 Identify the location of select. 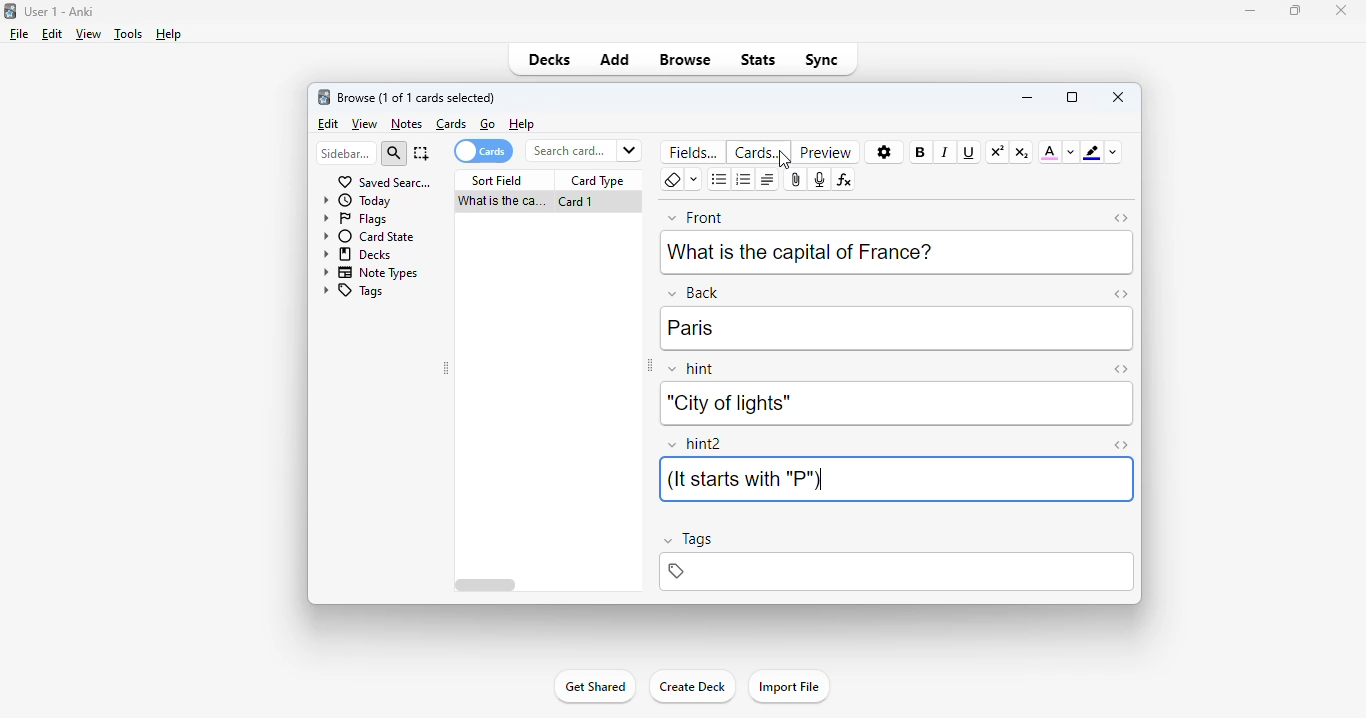
(422, 153).